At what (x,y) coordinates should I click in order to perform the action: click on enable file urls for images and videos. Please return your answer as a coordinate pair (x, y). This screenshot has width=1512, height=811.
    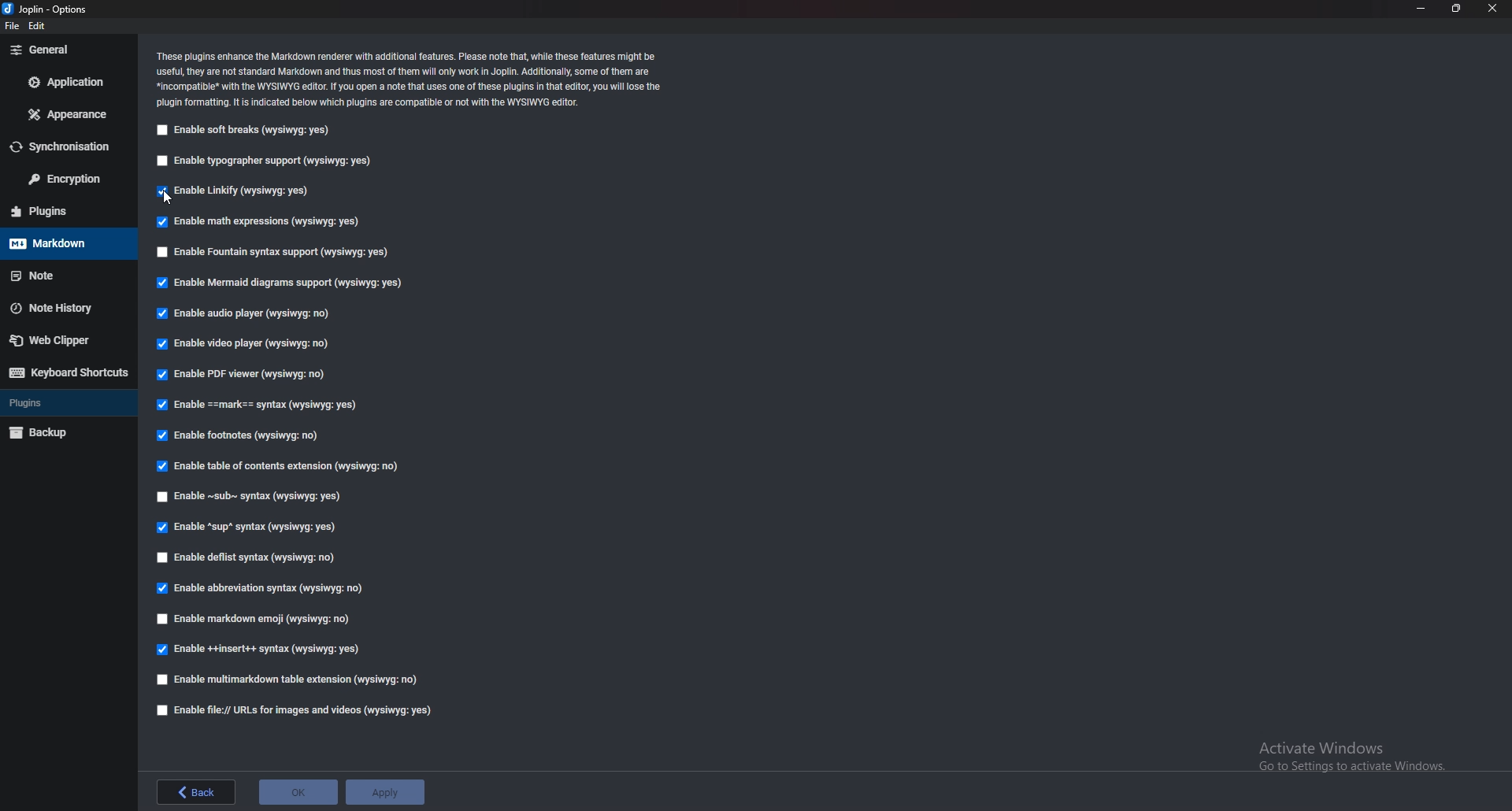
    Looking at the image, I should click on (295, 709).